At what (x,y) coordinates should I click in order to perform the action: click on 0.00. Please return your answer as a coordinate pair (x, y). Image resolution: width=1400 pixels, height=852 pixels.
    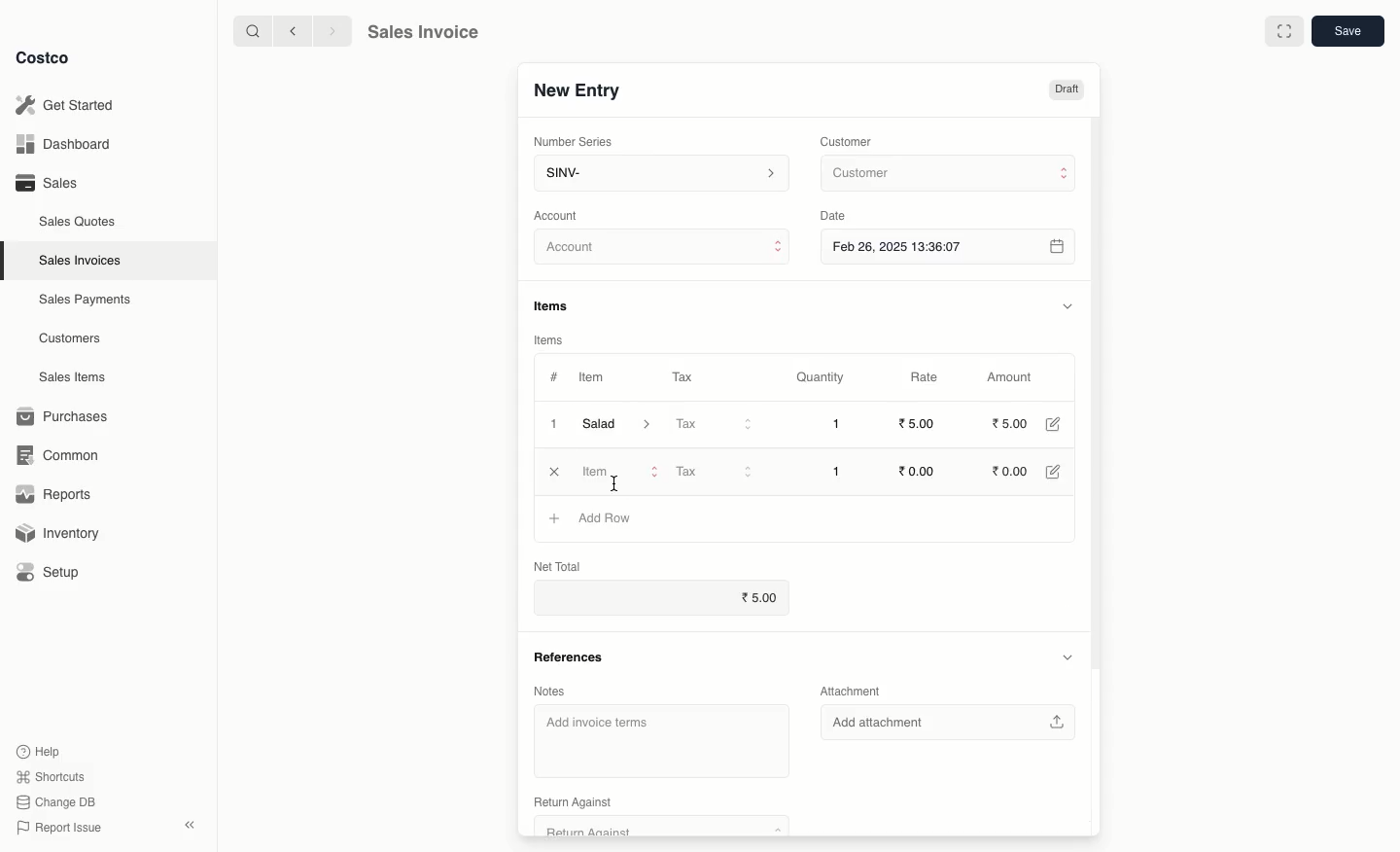
    Looking at the image, I should click on (1011, 472).